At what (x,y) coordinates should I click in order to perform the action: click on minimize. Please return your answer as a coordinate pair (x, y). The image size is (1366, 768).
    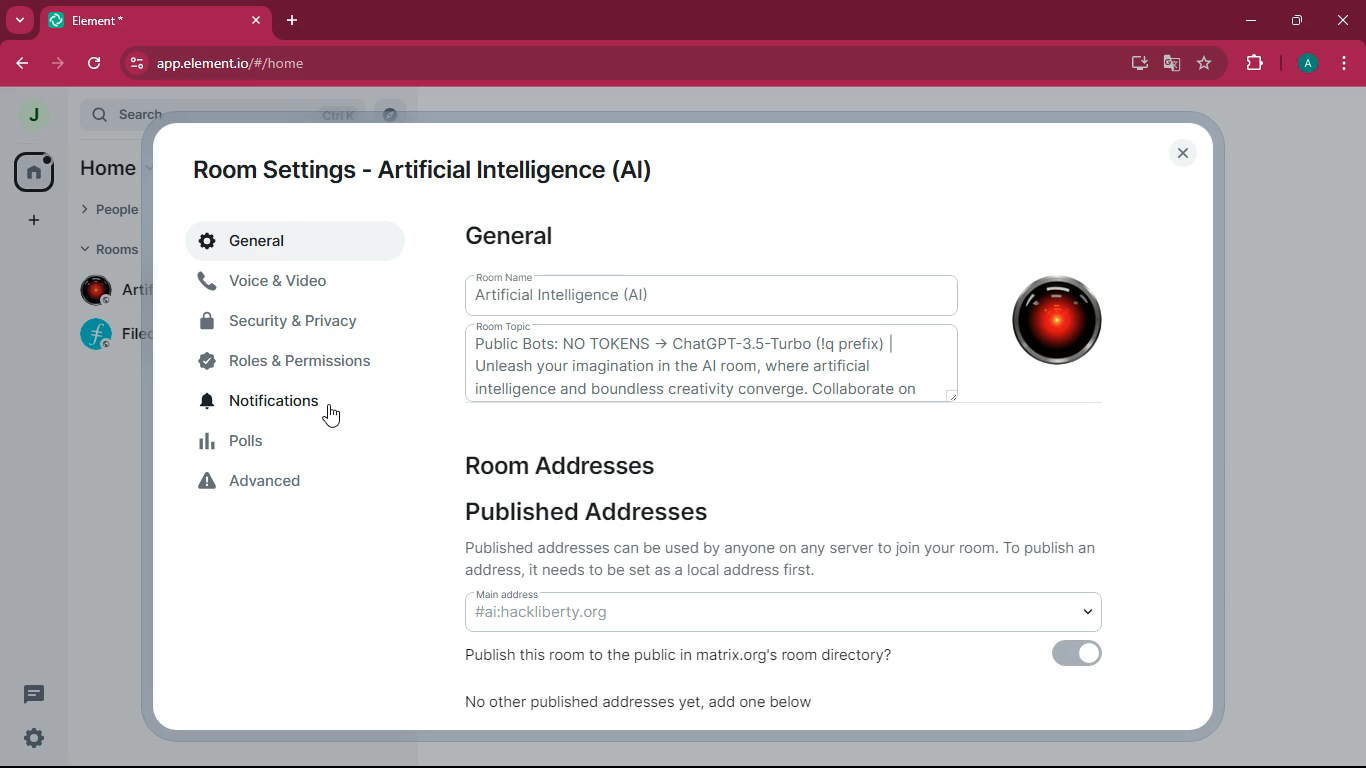
    Looking at the image, I should click on (1253, 20).